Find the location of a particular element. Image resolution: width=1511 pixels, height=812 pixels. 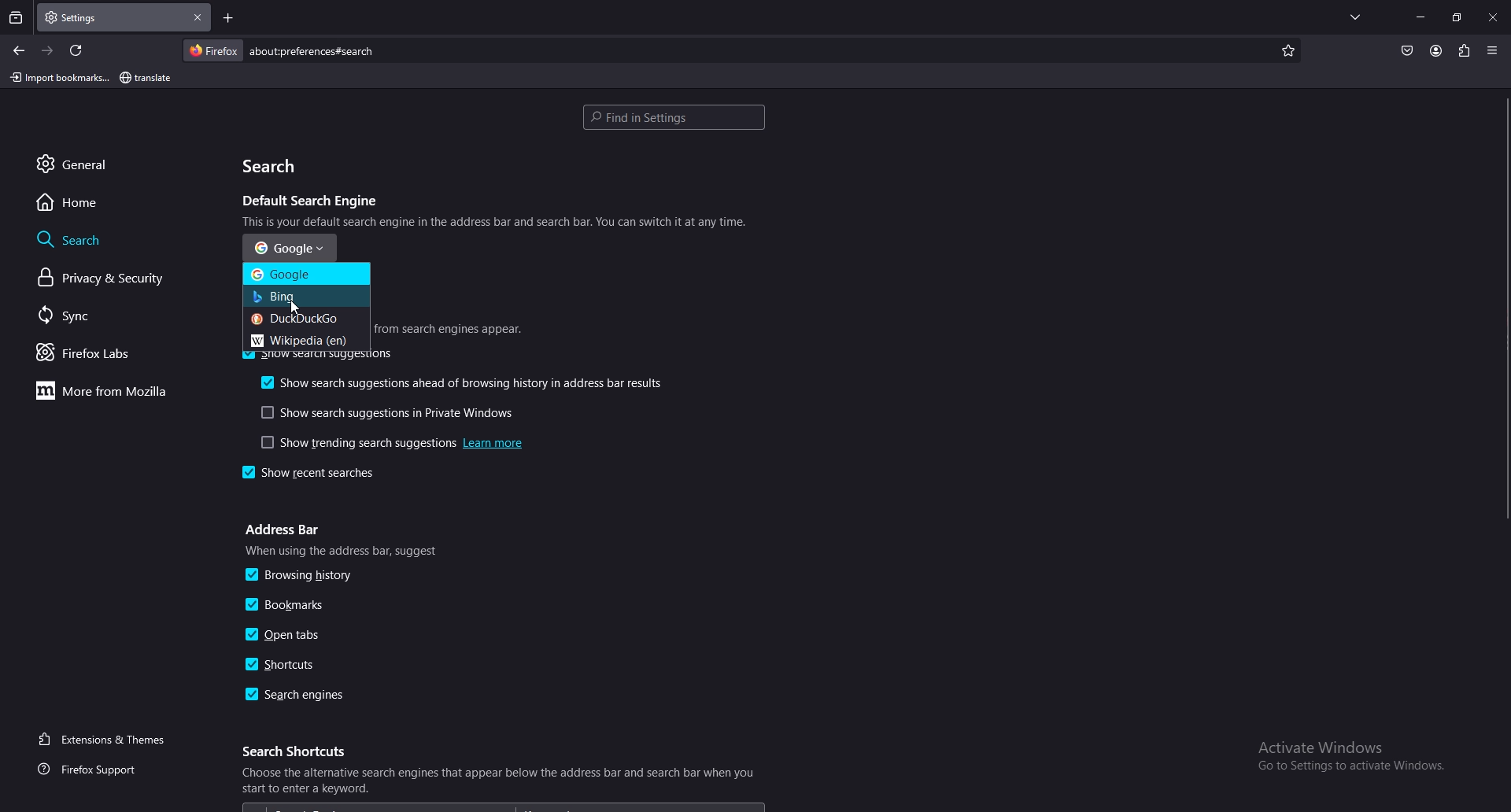

open tabs is located at coordinates (291, 637).